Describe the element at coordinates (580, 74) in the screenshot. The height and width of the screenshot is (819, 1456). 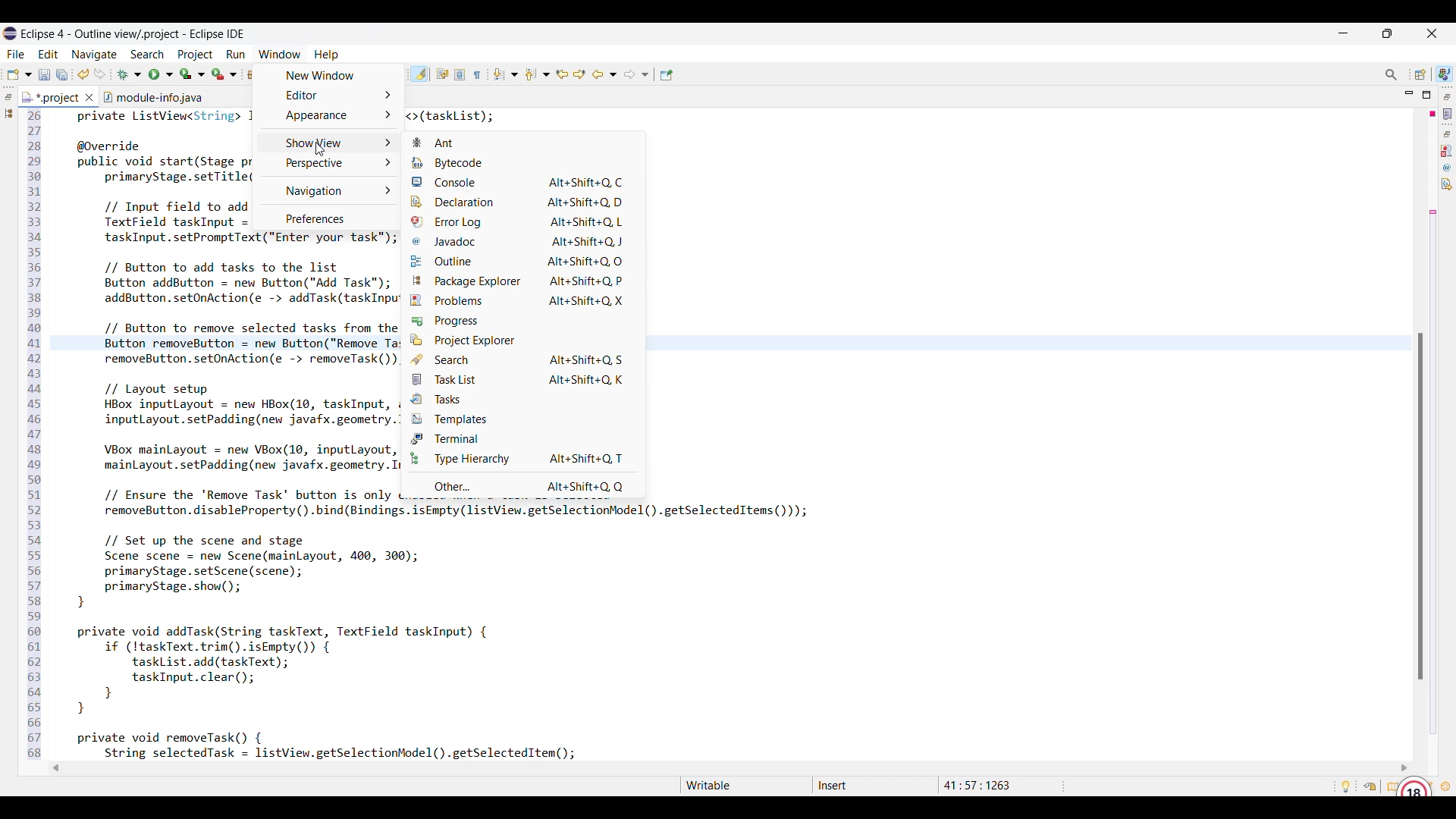
I see `Next edit location` at that location.